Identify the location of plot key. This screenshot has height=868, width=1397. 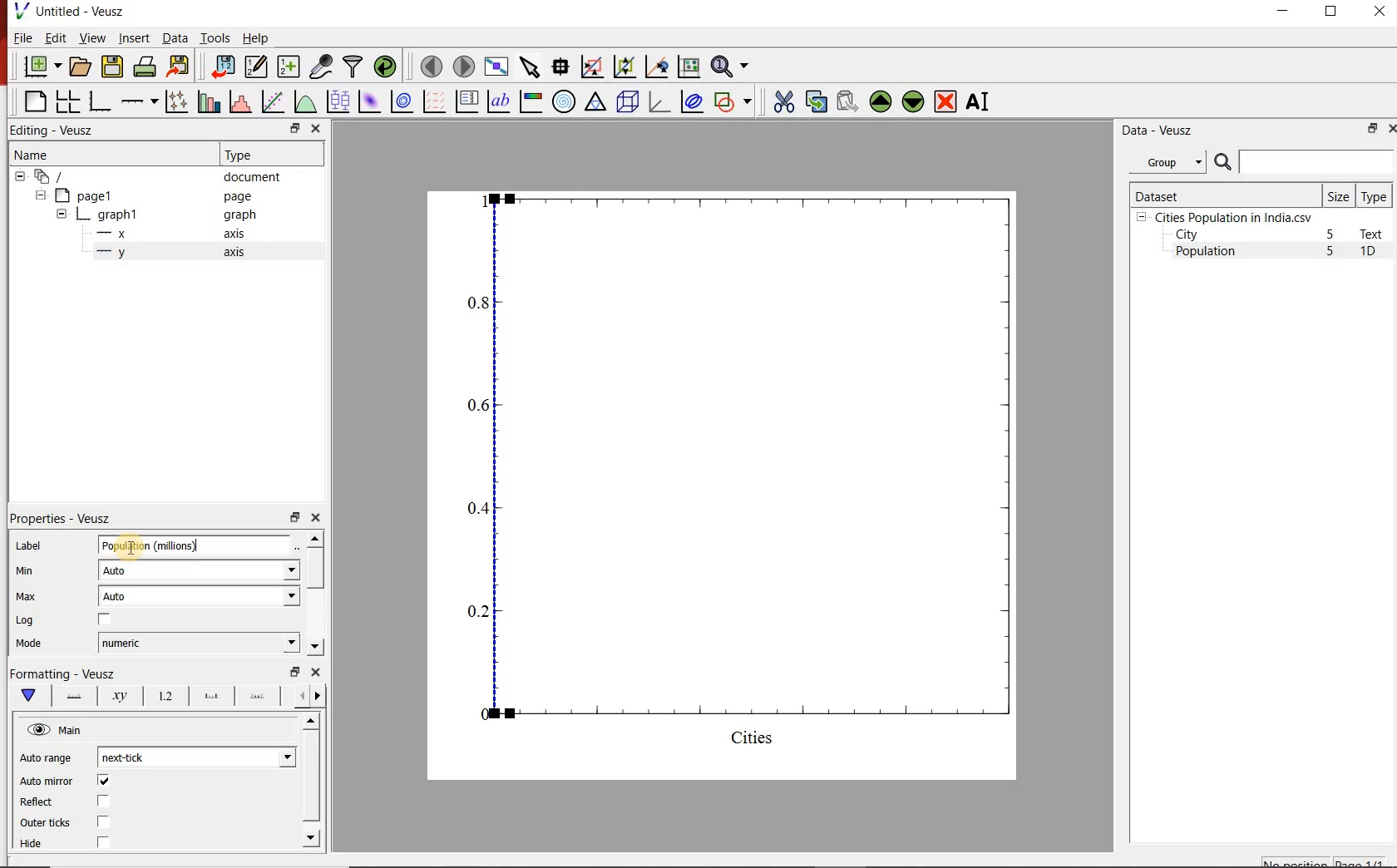
(466, 101).